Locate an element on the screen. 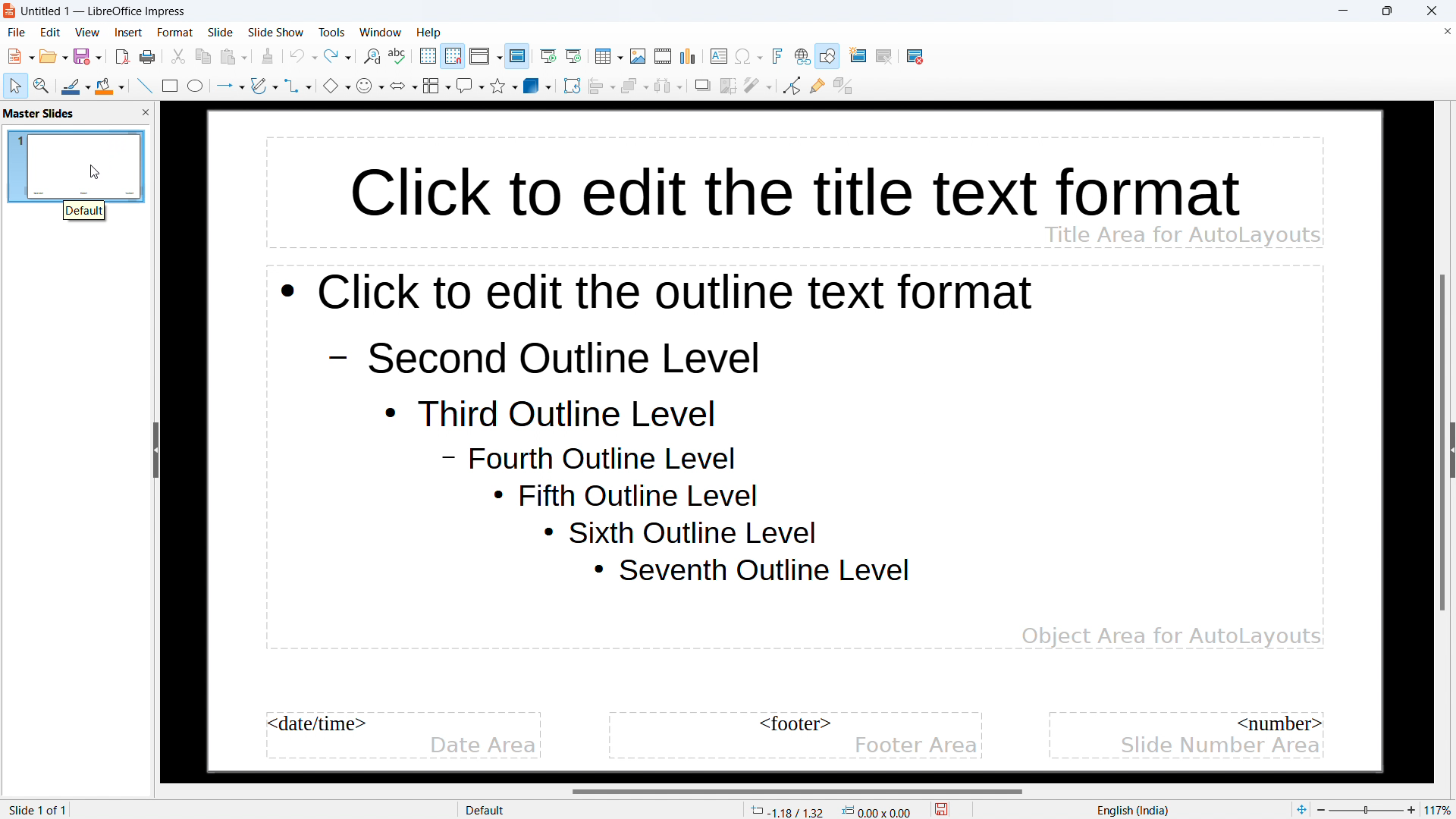  slide 1 of 1 is located at coordinates (37, 810).